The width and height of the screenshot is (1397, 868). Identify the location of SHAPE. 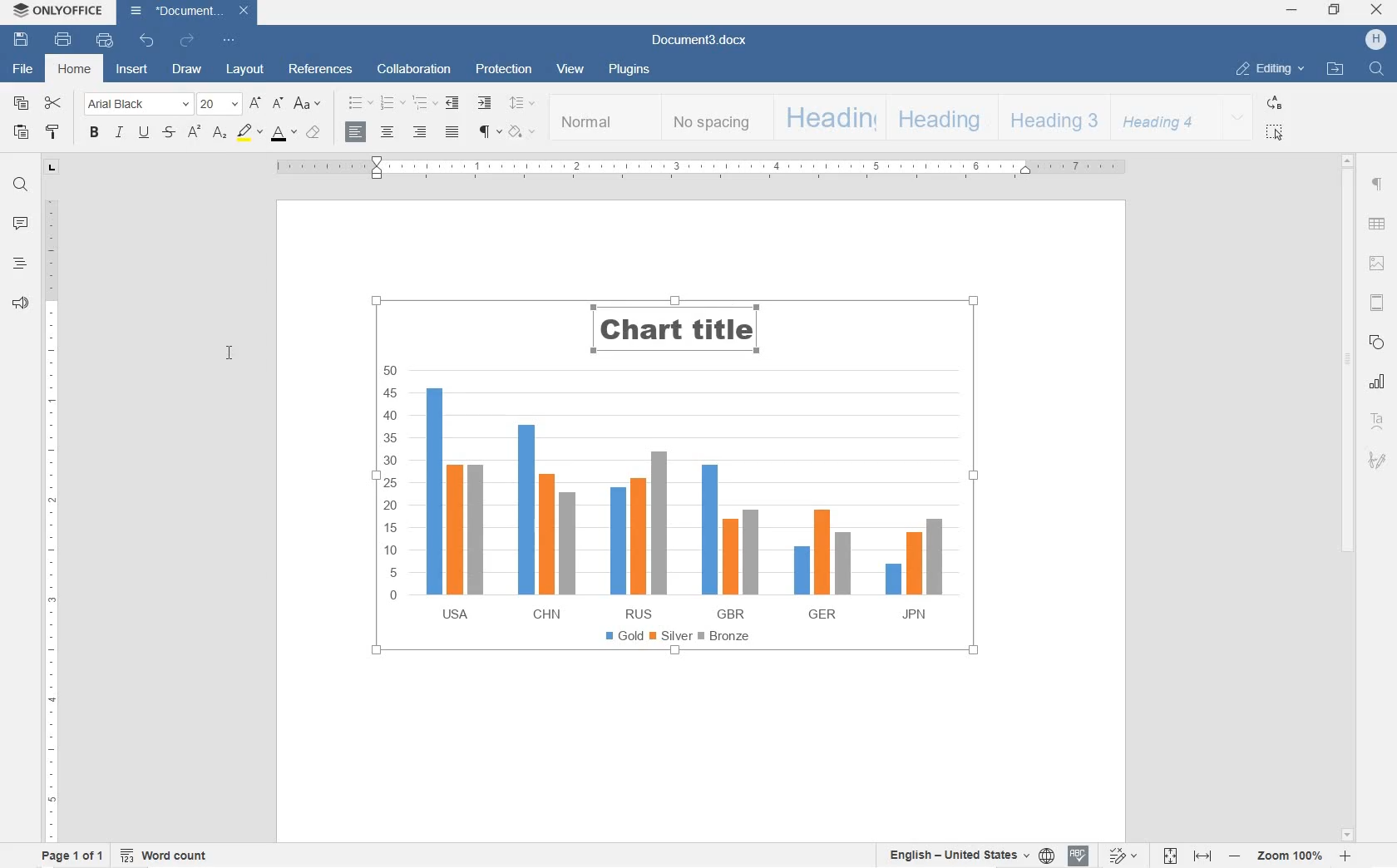
(1375, 342).